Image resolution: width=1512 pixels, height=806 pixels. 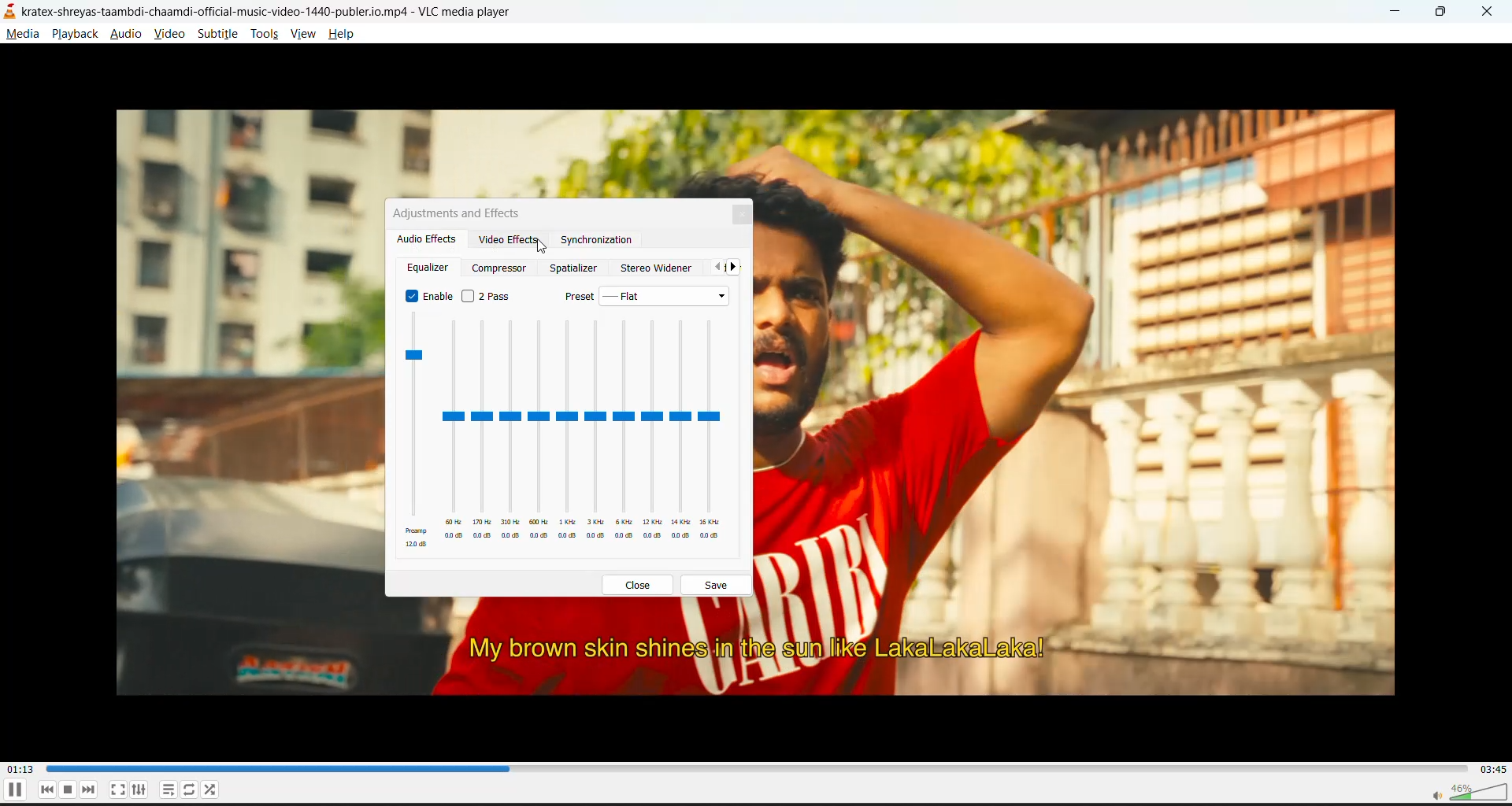 What do you see at coordinates (680, 434) in the screenshot?
I see `` at bounding box center [680, 434].